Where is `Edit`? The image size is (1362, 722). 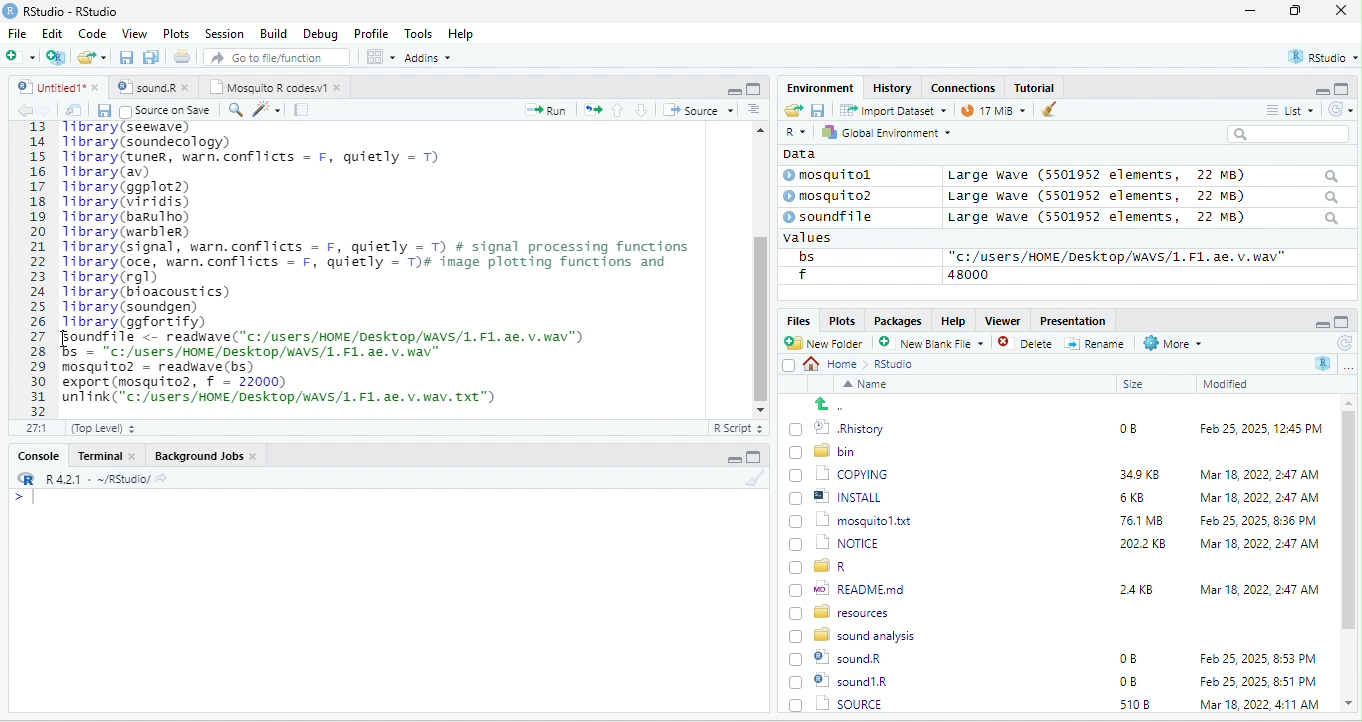 Edit is located at coordinates (54, 33).